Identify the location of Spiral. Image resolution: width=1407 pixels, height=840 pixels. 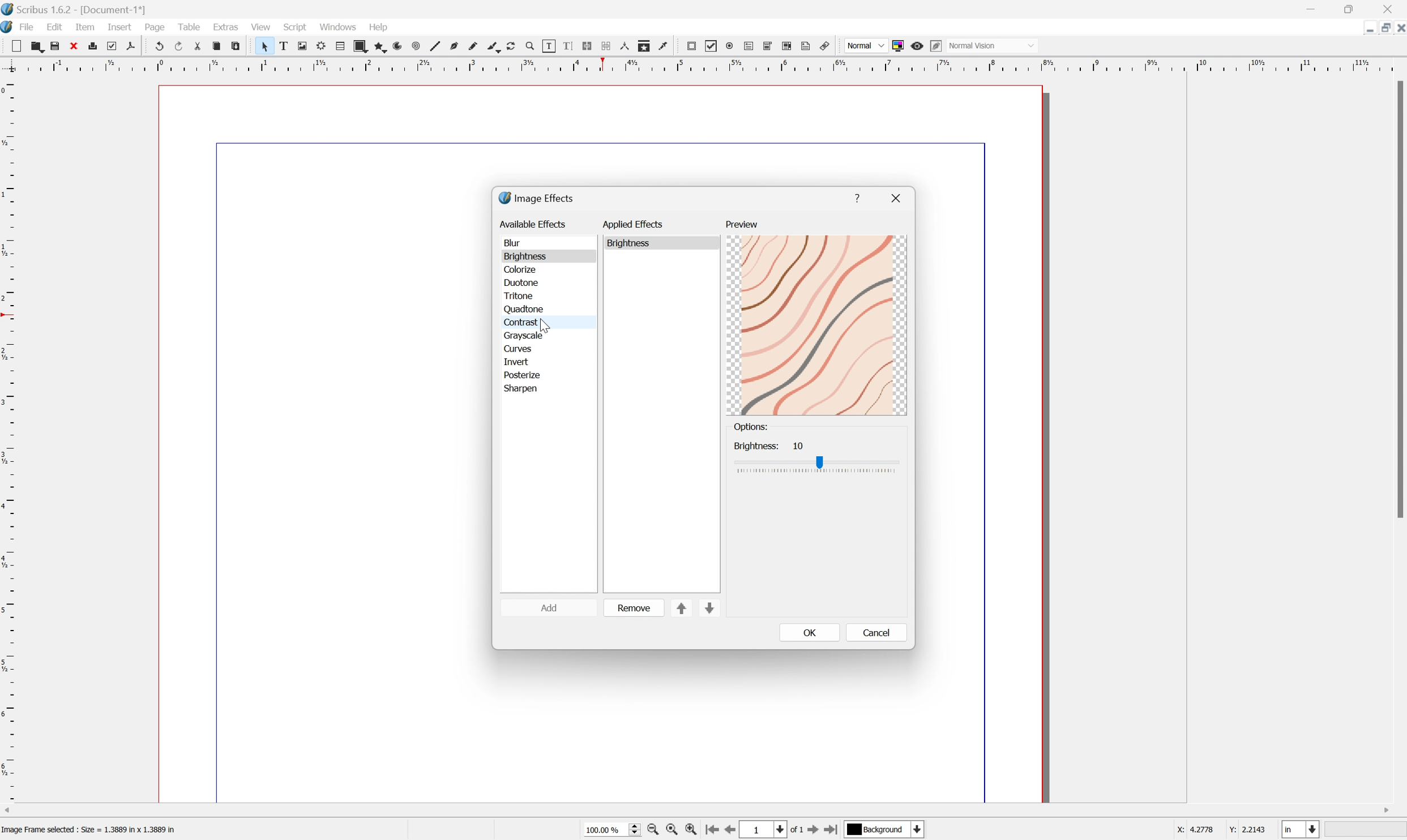
(419, 45).